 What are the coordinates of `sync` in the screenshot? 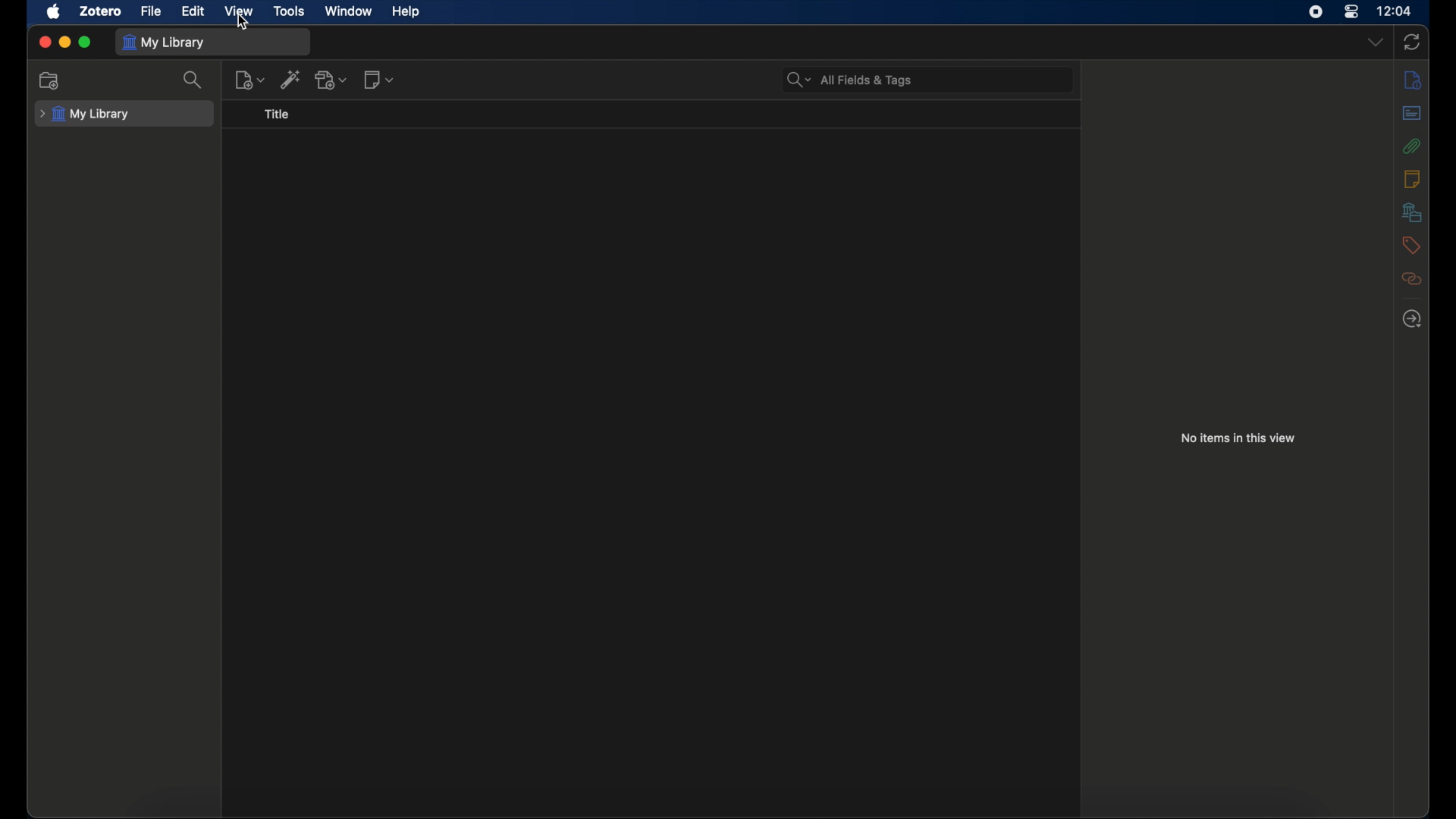 It's located at (1411, 42).